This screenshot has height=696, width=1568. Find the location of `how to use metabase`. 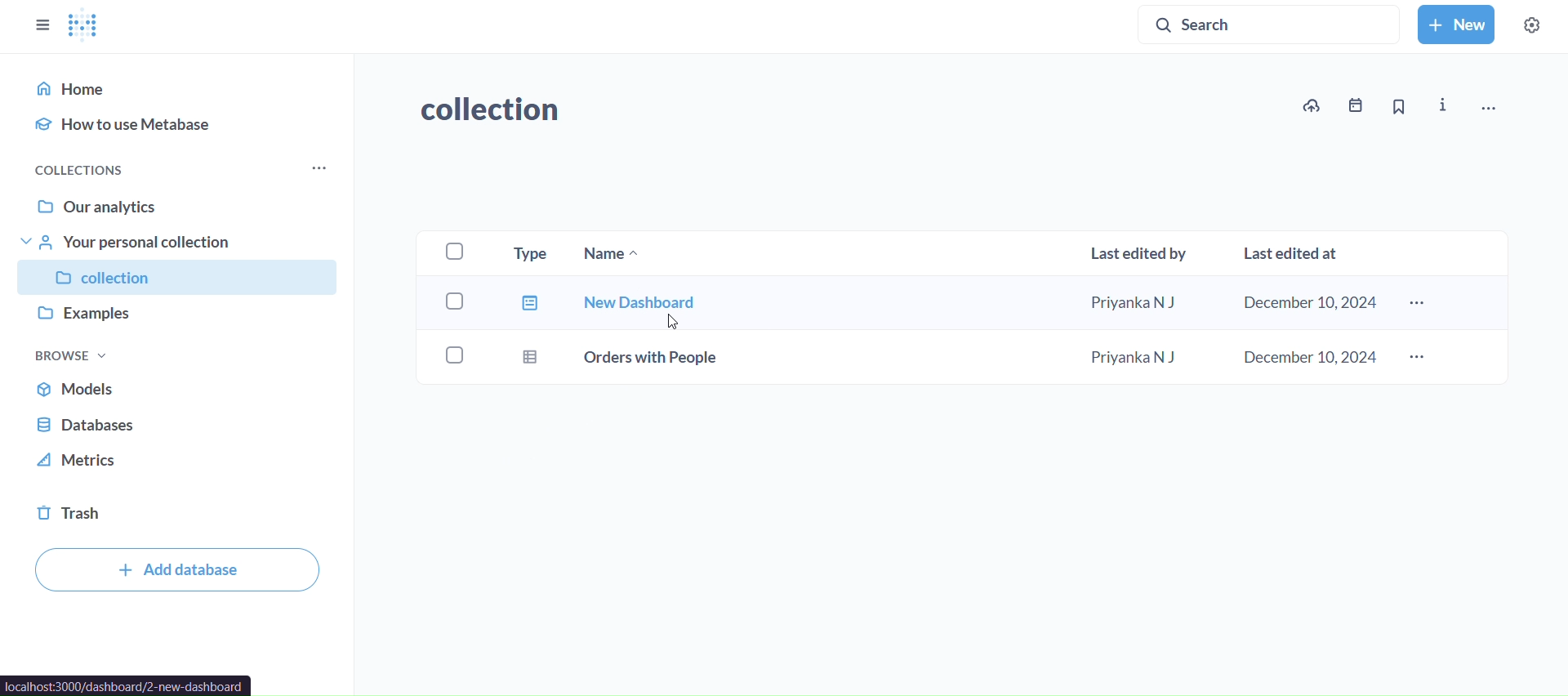

how to use metabase is located at coordinates (189, 121).